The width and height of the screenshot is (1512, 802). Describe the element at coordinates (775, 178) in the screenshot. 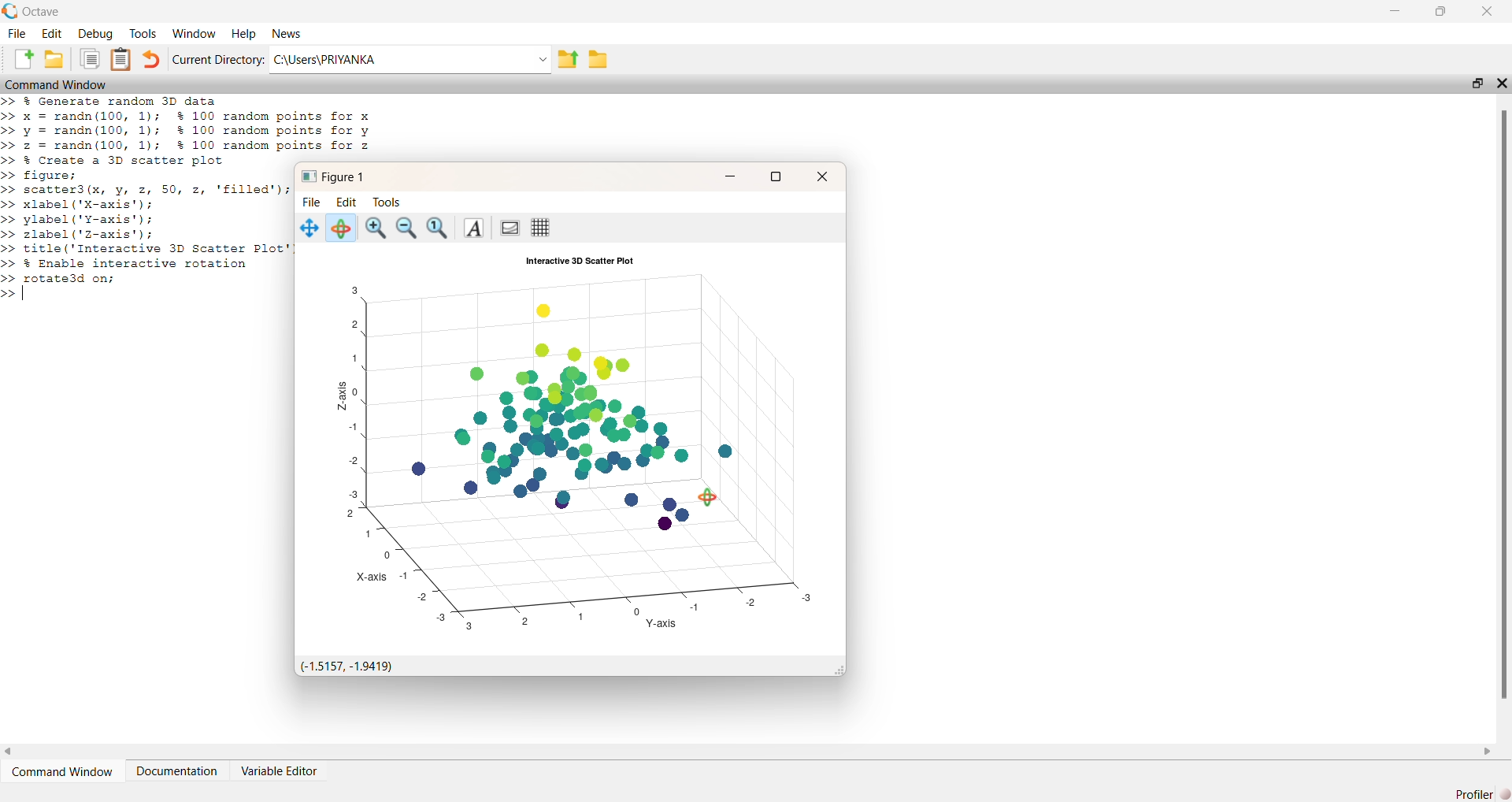

I see `resize` at that location.